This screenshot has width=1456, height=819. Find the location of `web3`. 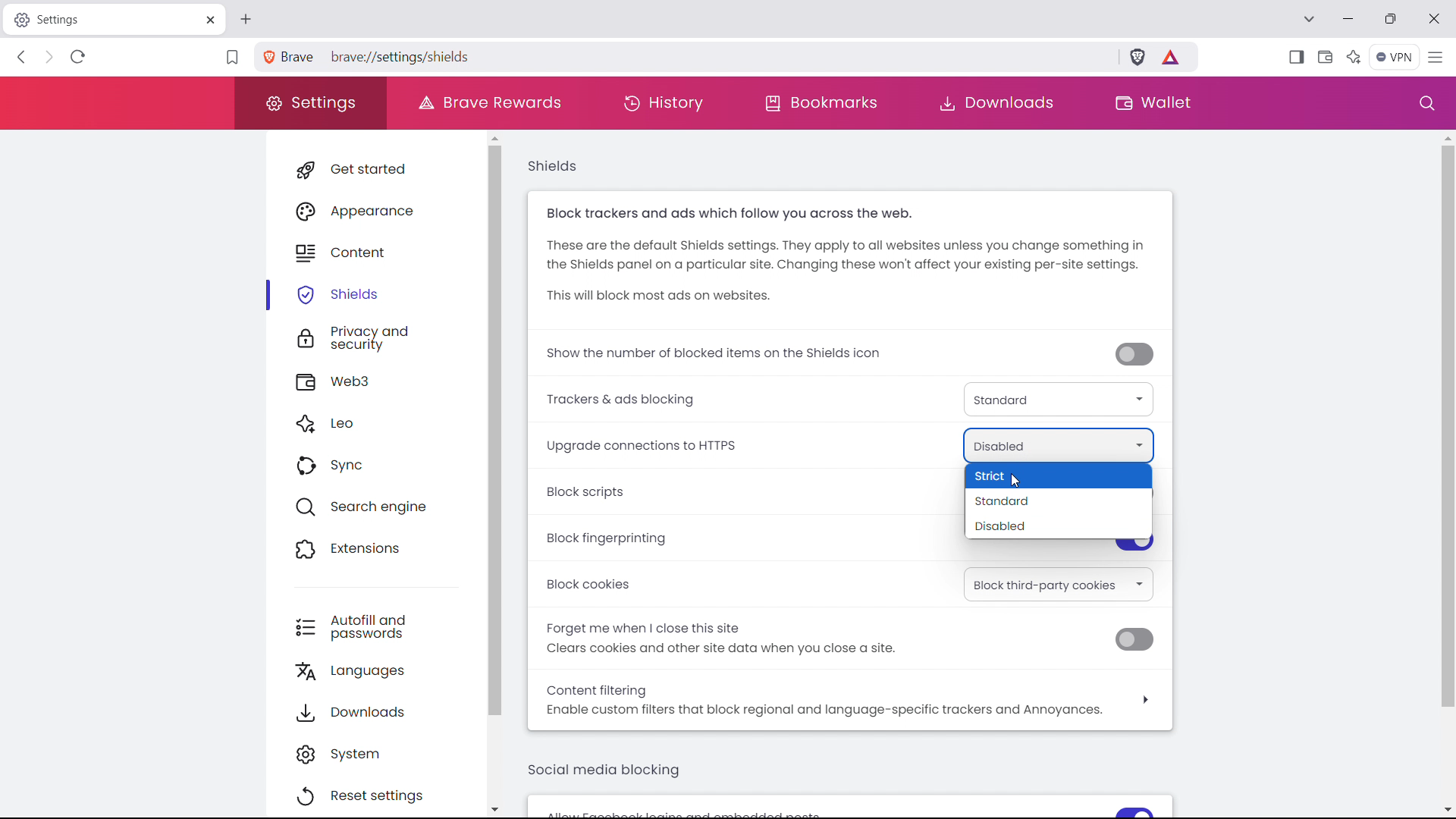

web3 is located at coordinates (385, 380).